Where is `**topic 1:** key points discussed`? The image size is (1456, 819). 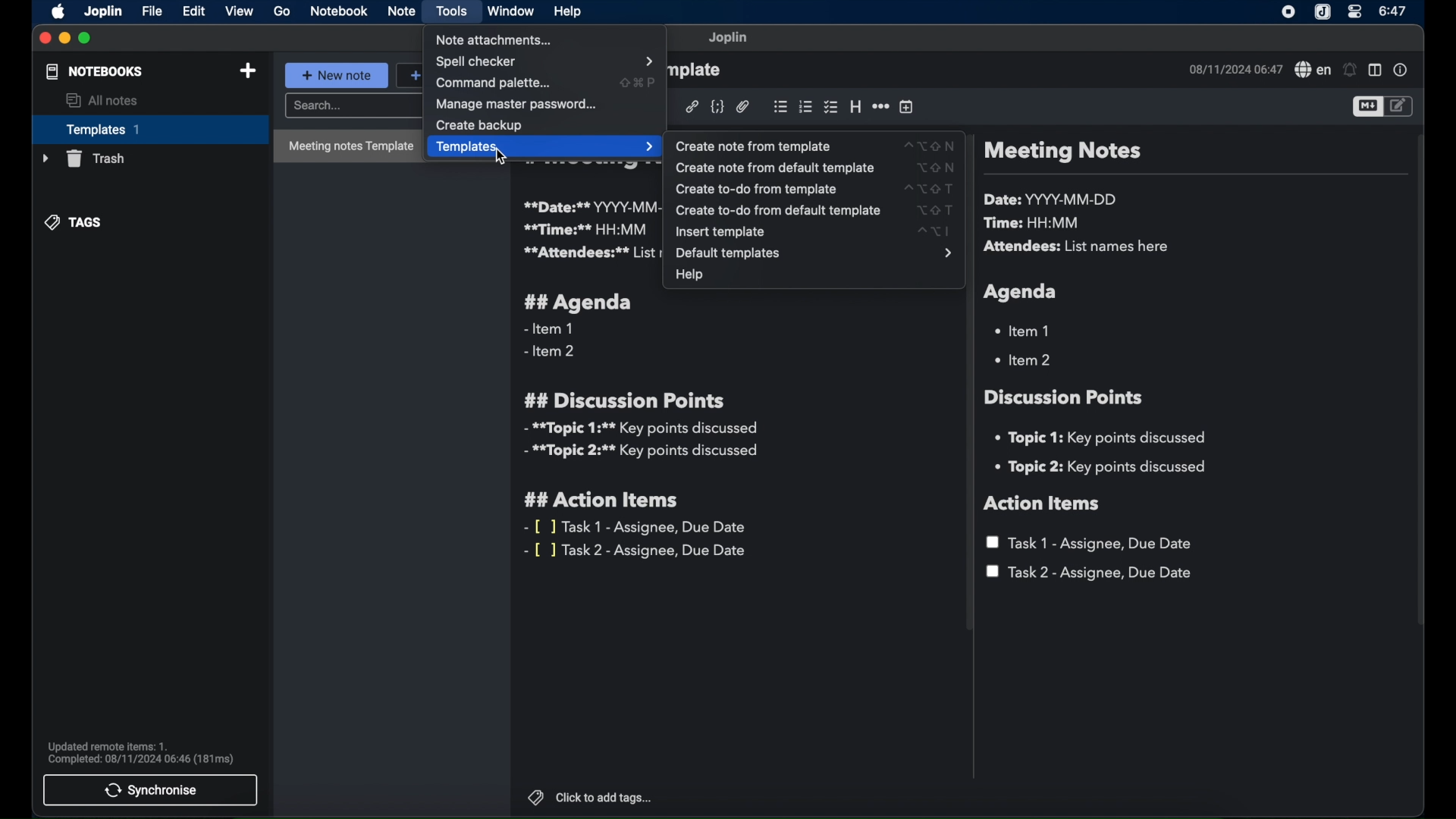 **topic 1:** key points discussed is located at coordinates (639, 428).